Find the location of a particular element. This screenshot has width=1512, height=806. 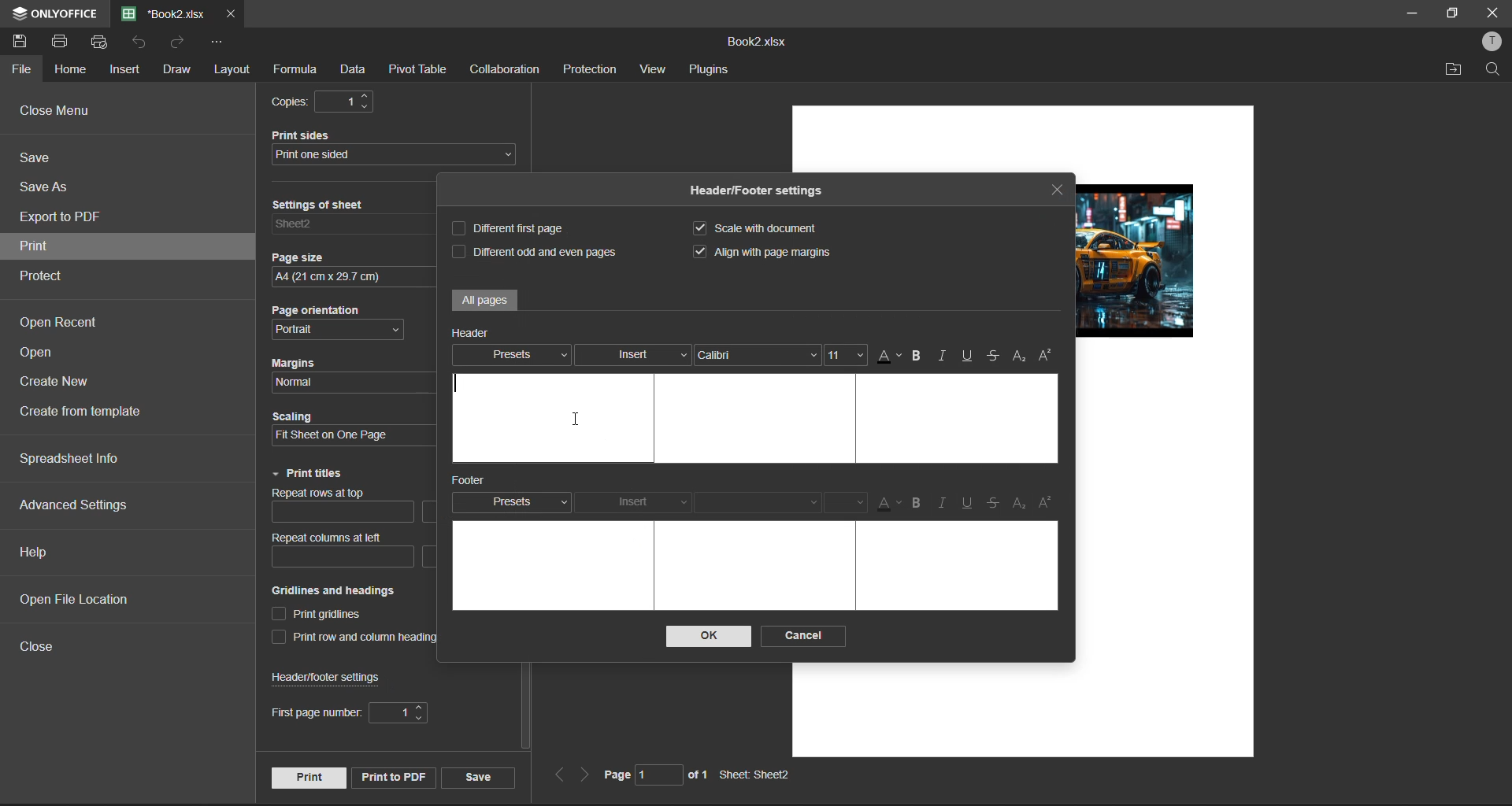

copies is located at coordinates (329, 102).